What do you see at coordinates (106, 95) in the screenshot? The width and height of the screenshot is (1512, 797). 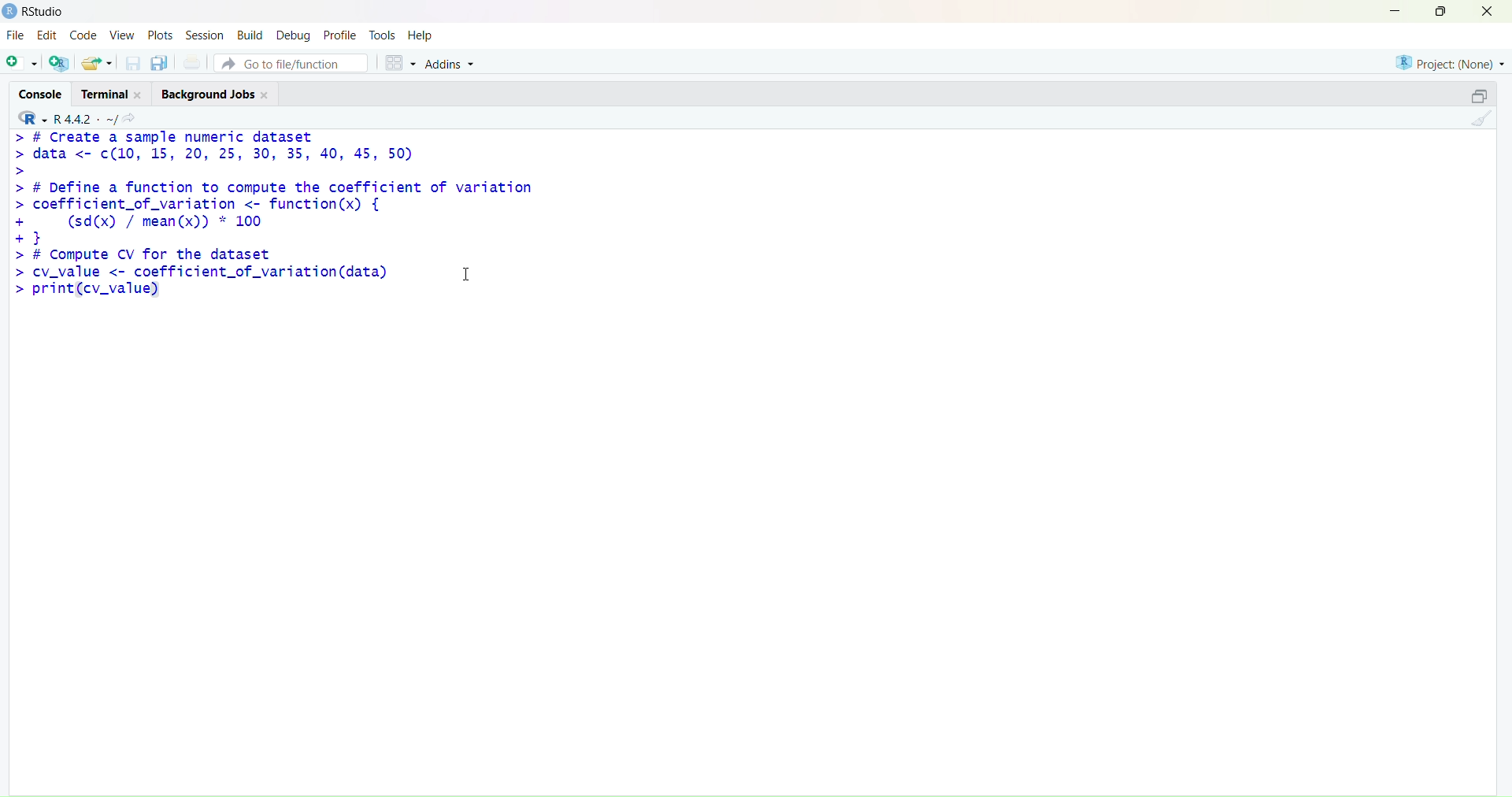 I see `terminal` at bounding box center [106, 95].